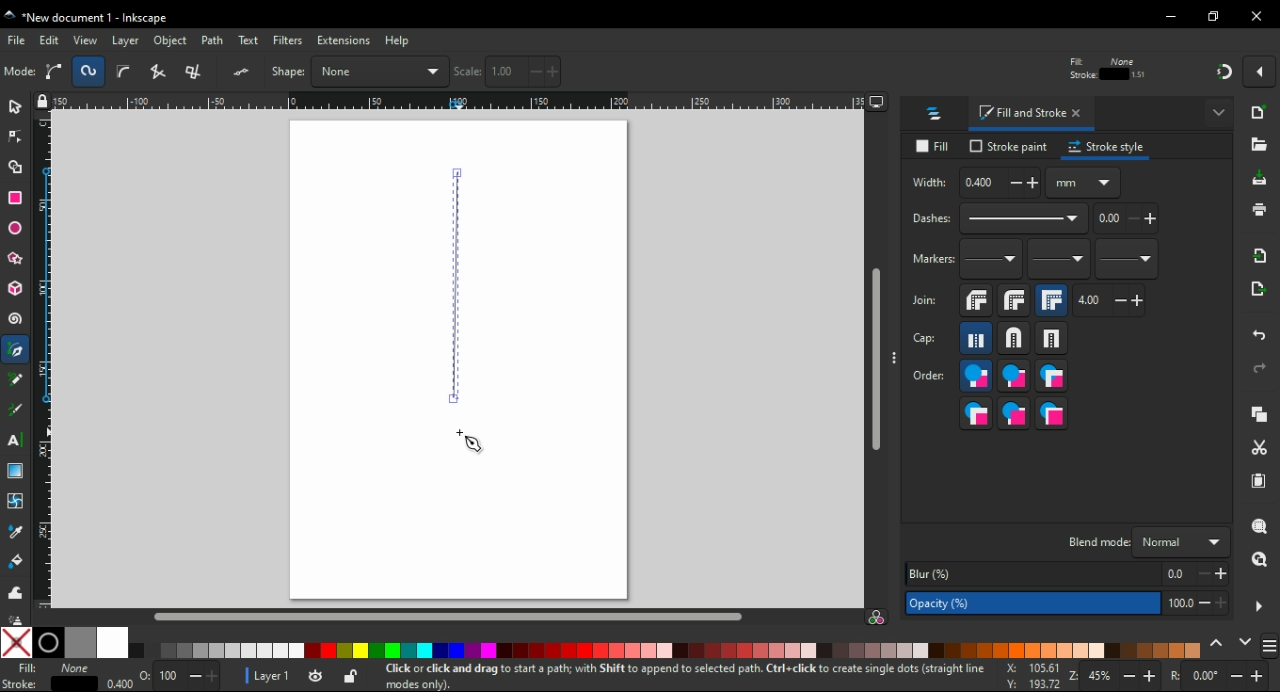 The height and width of the screenshot is (692, 1280). I want to click on NA, so click(74, 676).